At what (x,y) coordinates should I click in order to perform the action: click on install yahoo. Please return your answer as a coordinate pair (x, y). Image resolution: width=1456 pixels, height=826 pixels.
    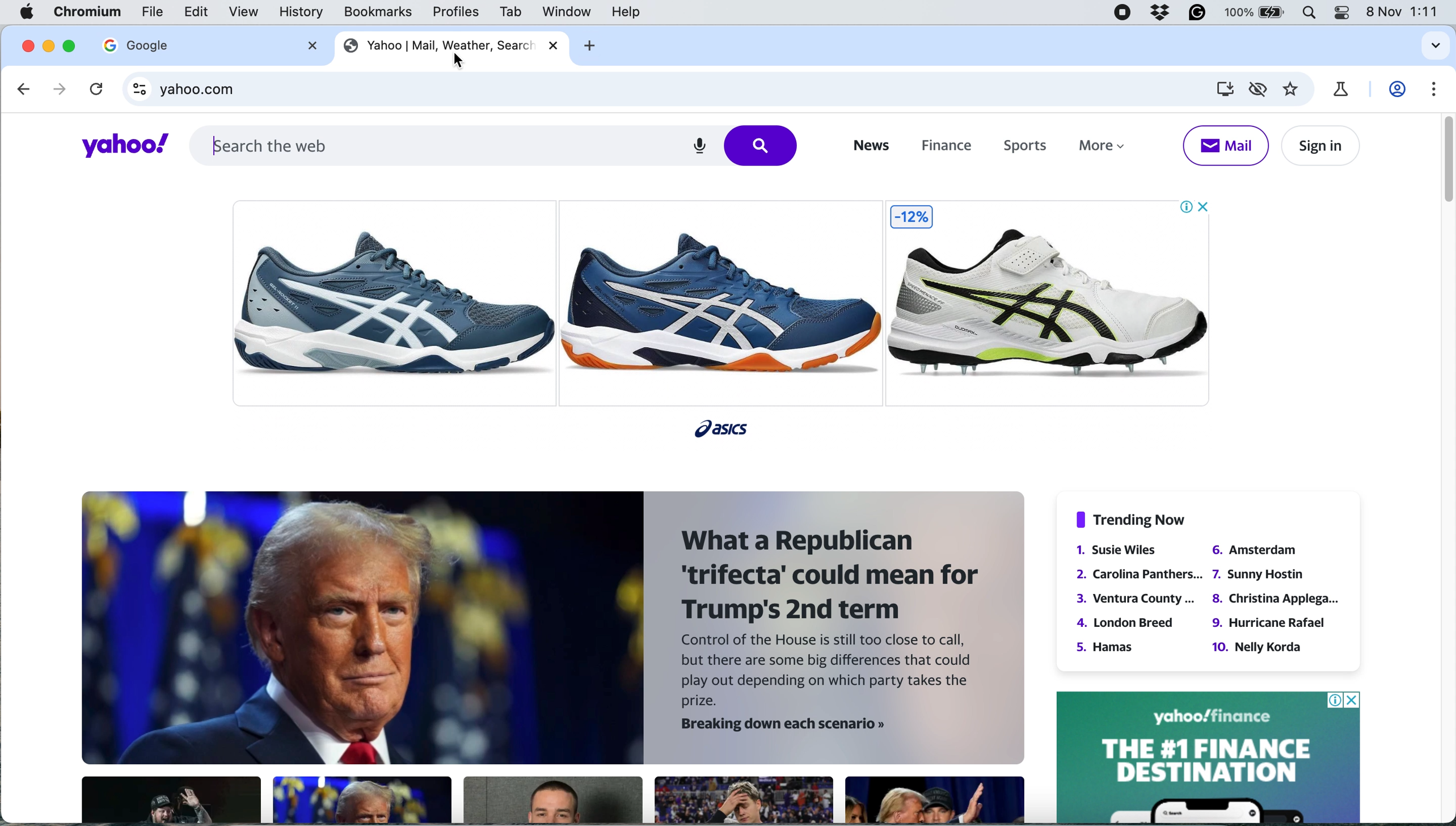
    Looking at the image, I should click on (1223, 88).